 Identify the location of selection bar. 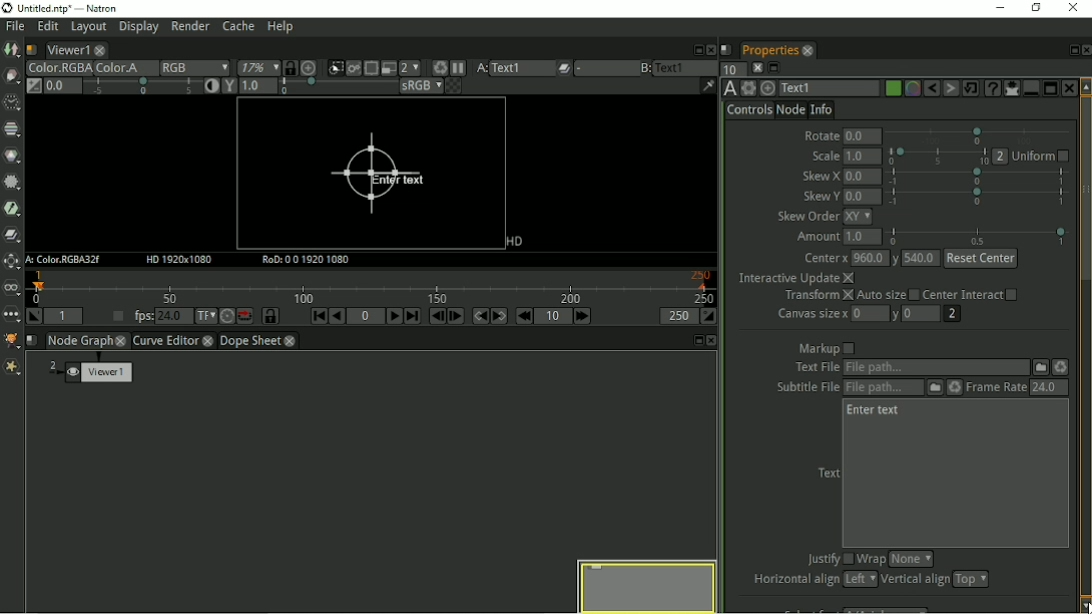
(980, 134).